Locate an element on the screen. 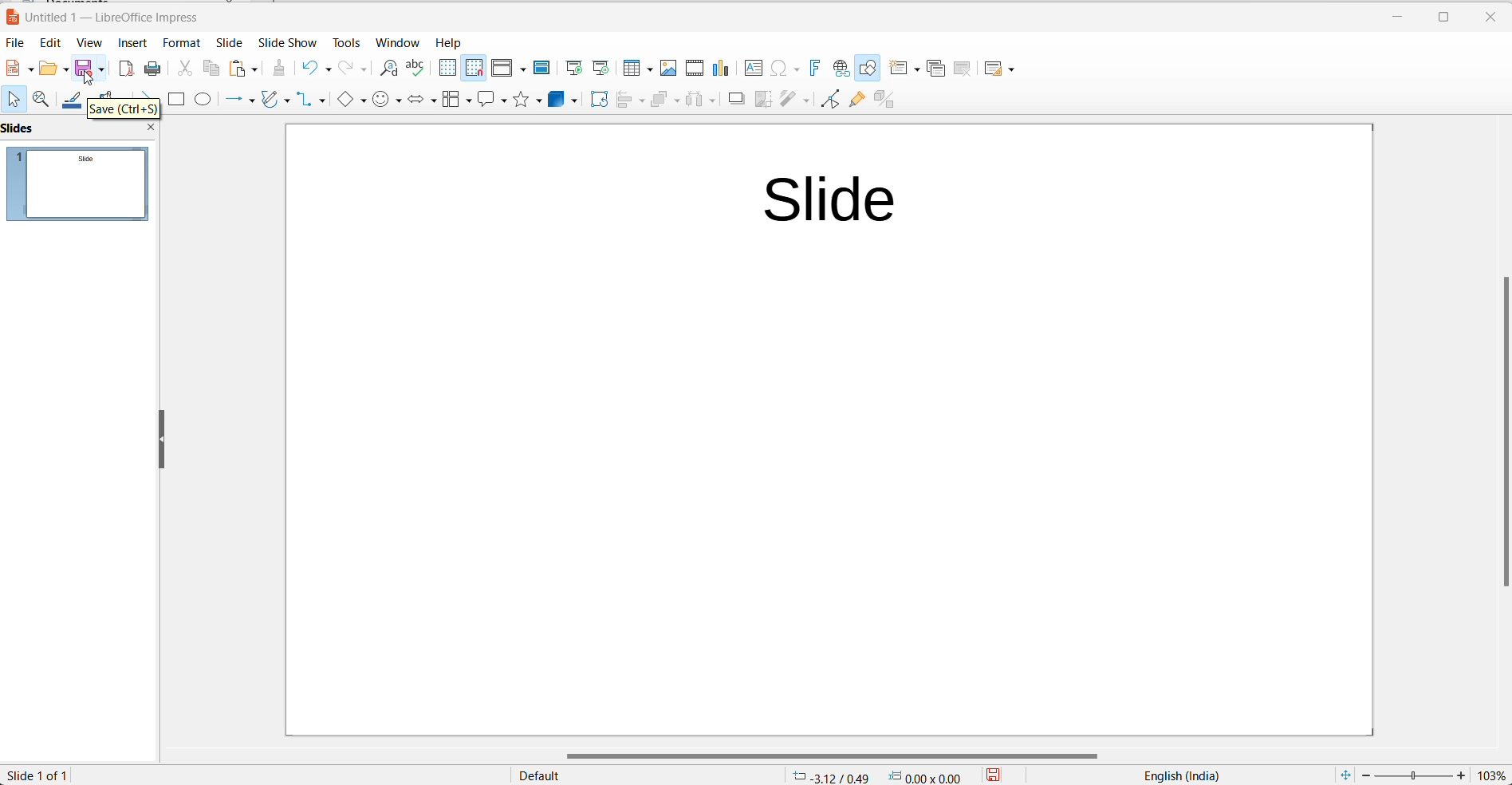 The height and width of the screenshot is (785, 1512). view is located at coordinates (86, 43).